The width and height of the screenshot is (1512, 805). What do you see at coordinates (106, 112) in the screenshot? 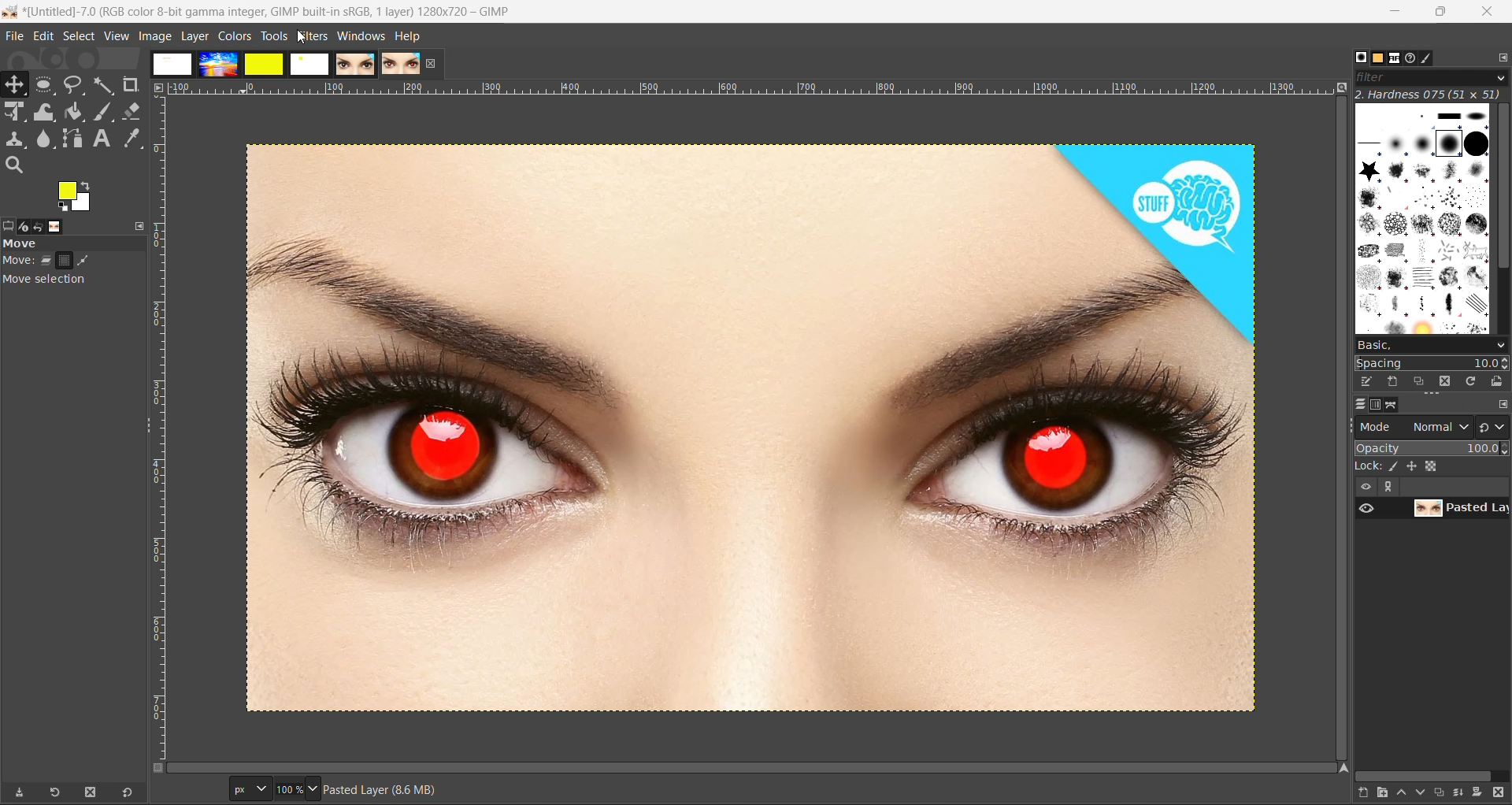
I see `ink` at bounding box center [106, 112].